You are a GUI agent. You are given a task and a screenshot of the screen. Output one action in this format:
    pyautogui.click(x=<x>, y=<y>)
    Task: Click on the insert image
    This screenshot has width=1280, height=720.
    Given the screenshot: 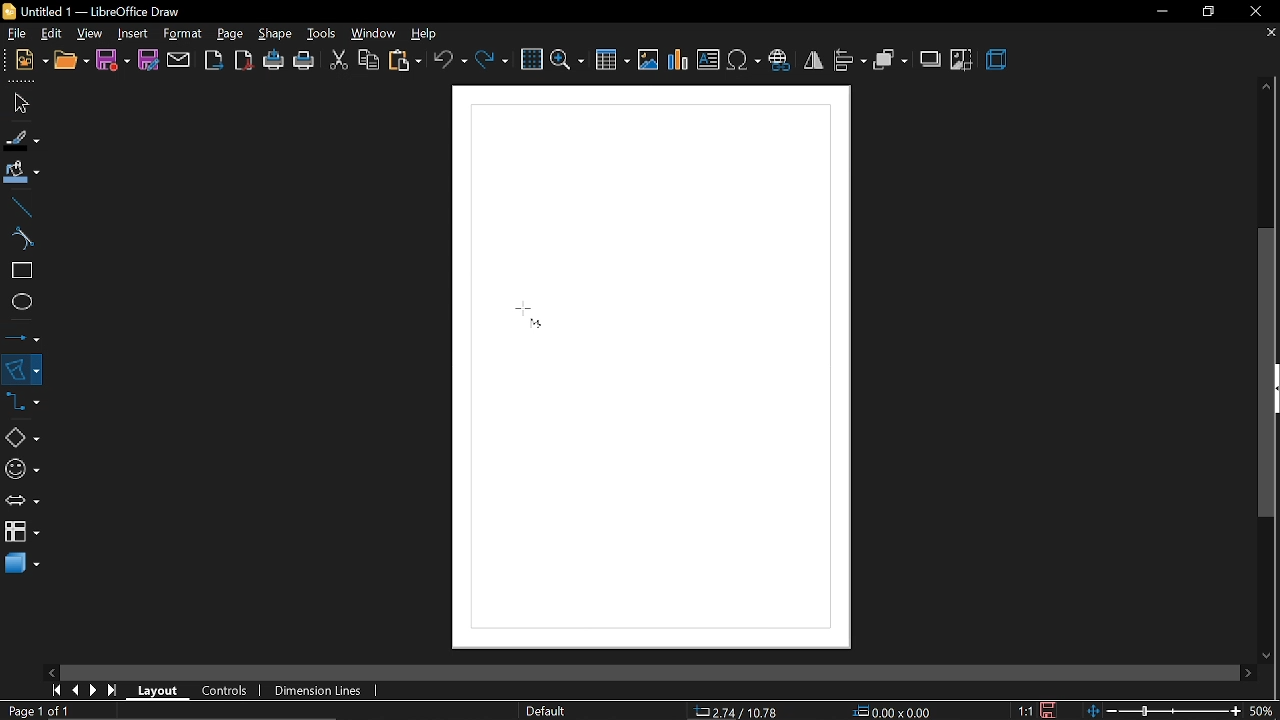 What is the action you would take?
    pyautogui.click(x=709, y=61)
    